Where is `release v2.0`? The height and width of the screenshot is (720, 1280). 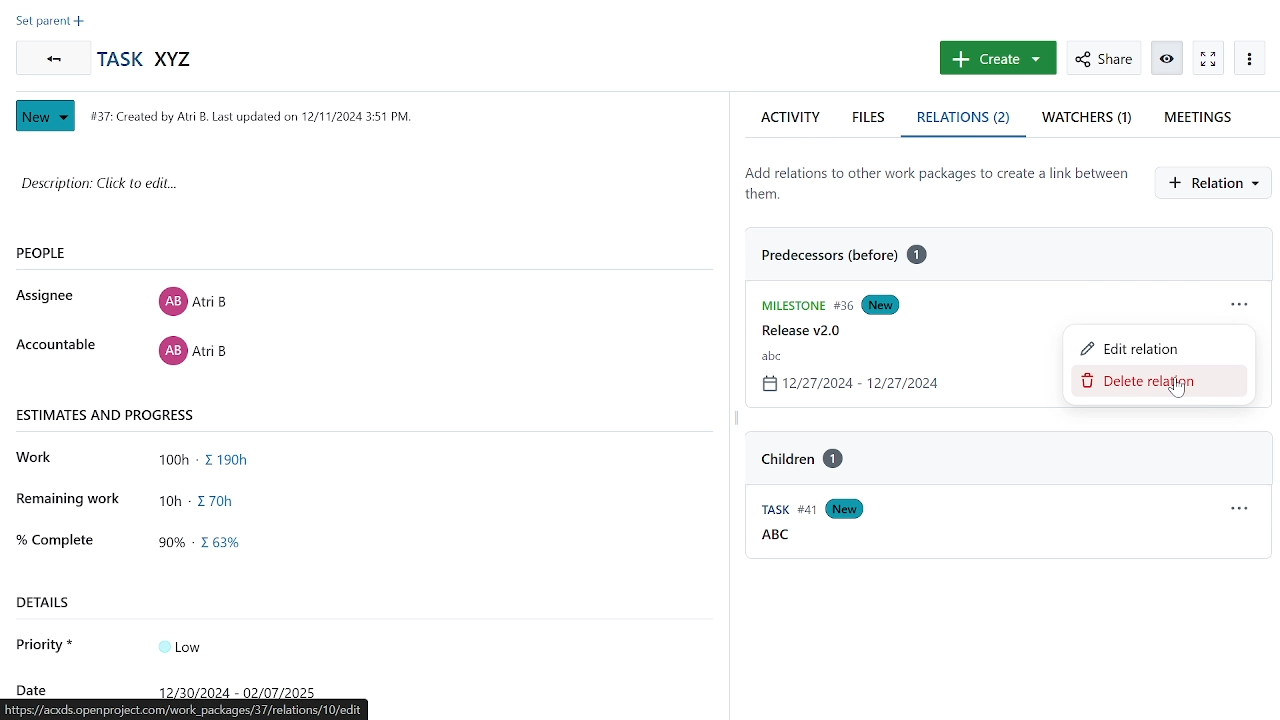
release v2.0 is located at coordinates (798, 331).